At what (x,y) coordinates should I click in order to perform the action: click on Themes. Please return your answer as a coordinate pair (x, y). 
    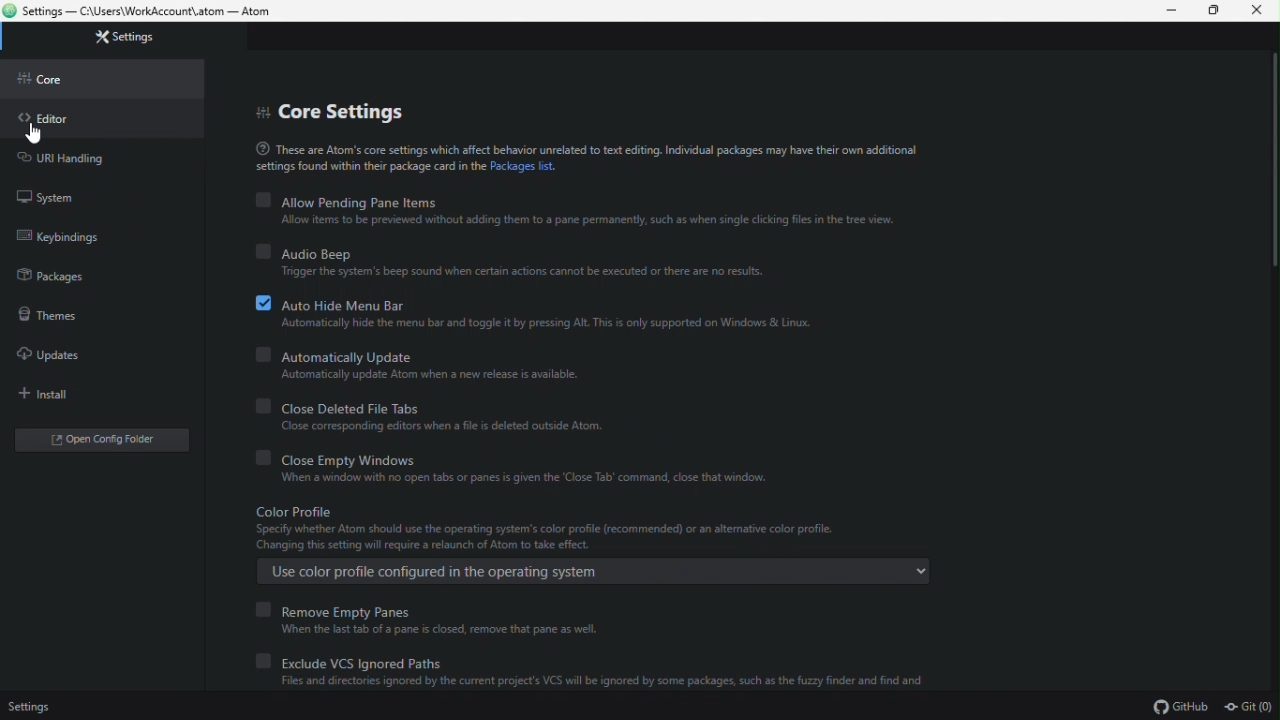
    Looking at the image, I should click on (59, 316).